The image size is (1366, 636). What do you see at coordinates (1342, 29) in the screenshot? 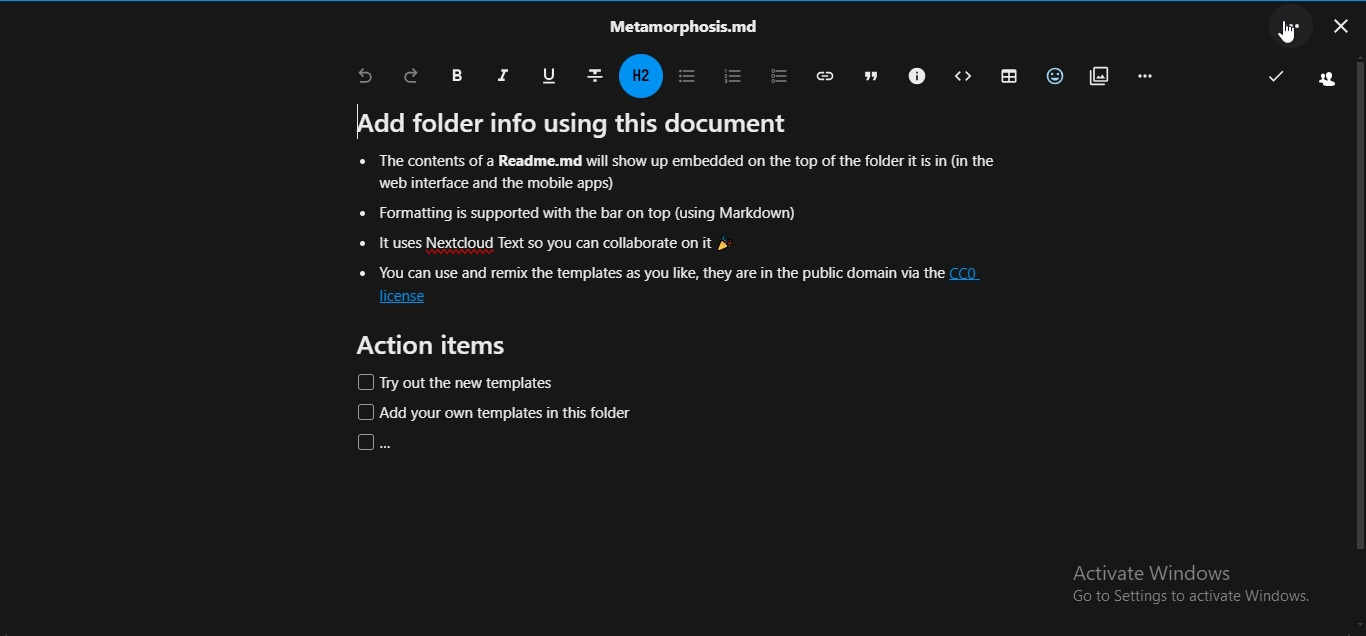
I see `close` at bounding box center [1342, 29].